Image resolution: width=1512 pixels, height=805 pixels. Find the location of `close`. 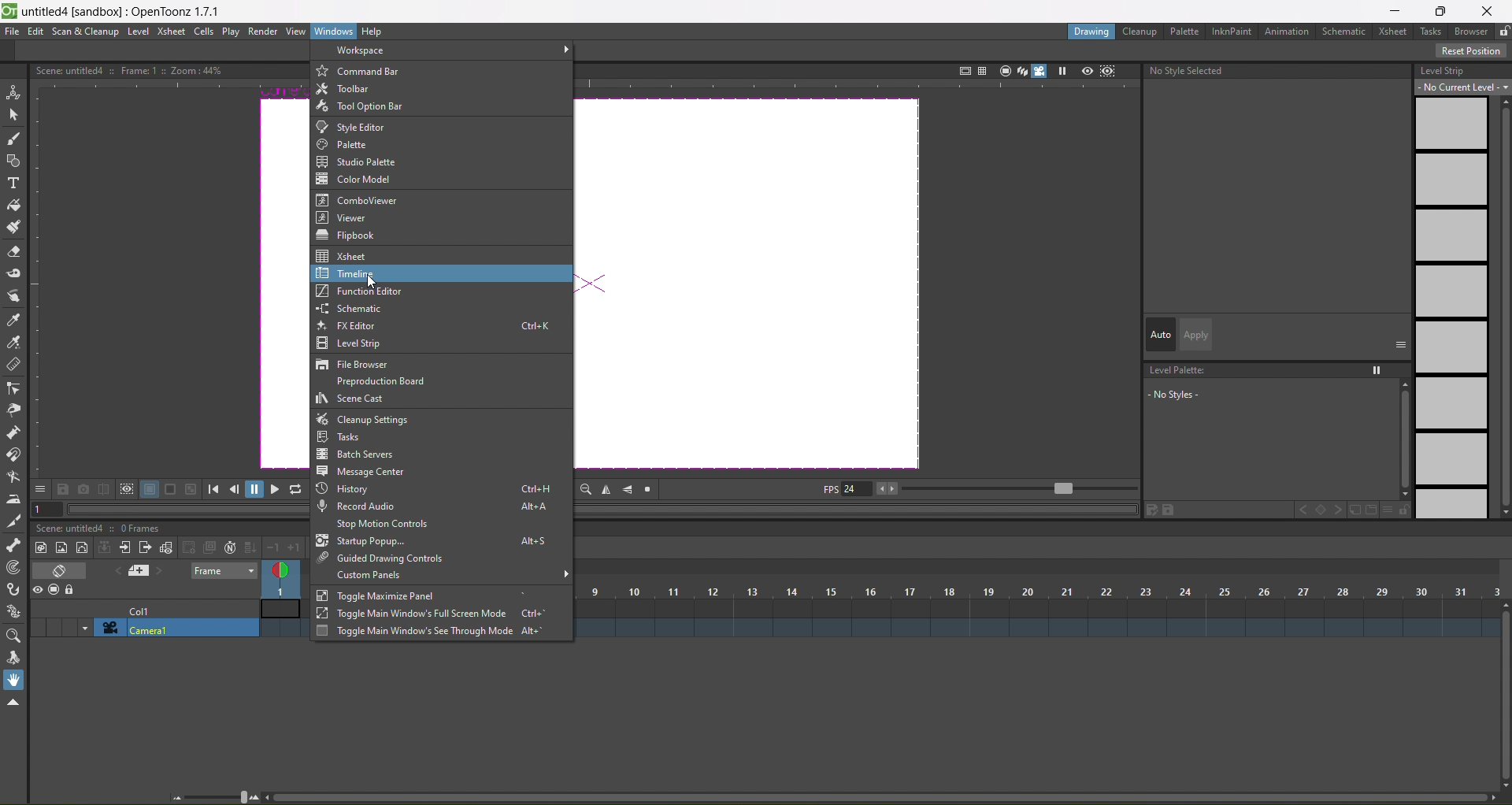

close is located at coordinates (1492, 9).